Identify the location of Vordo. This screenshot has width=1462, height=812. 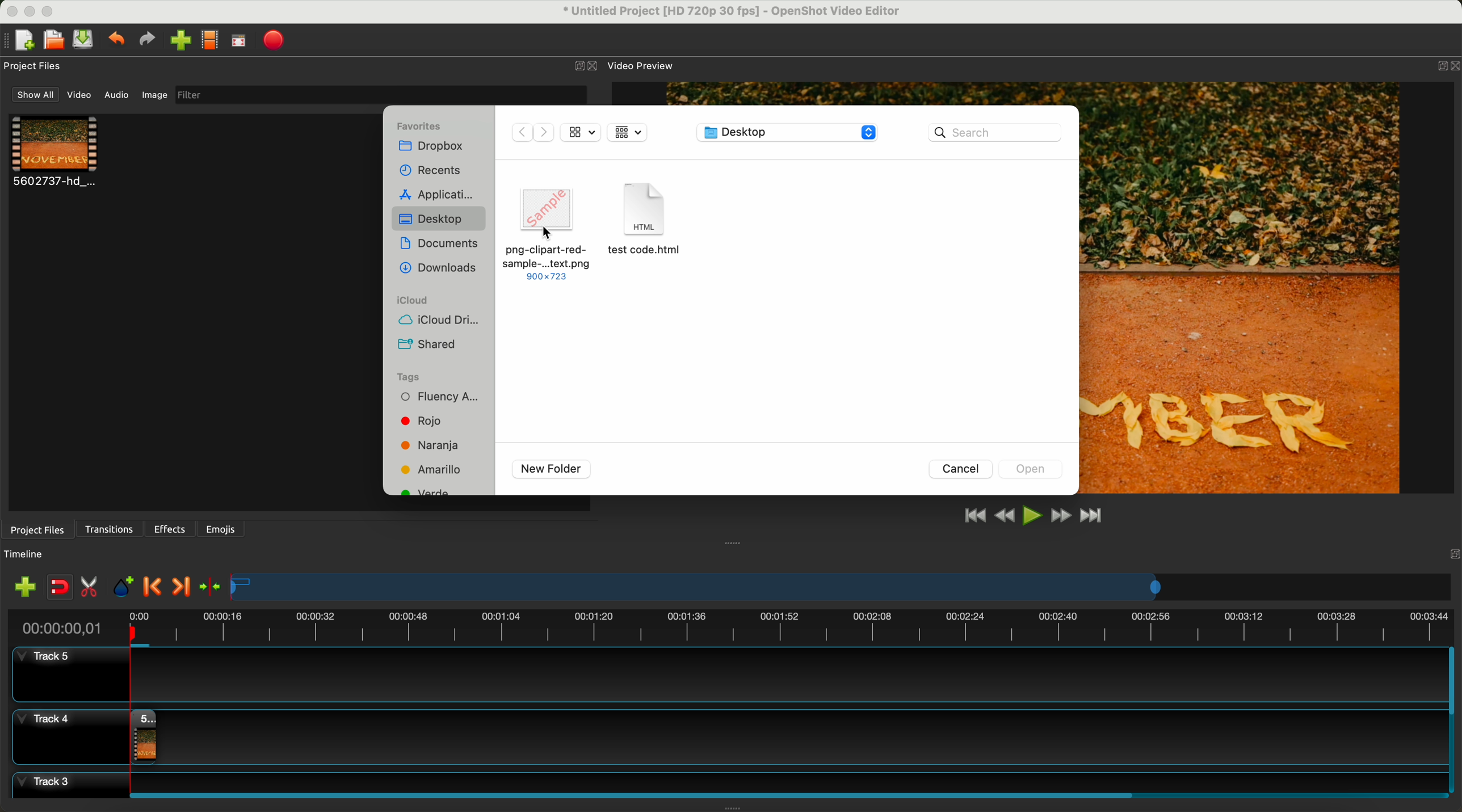
(425, 495).